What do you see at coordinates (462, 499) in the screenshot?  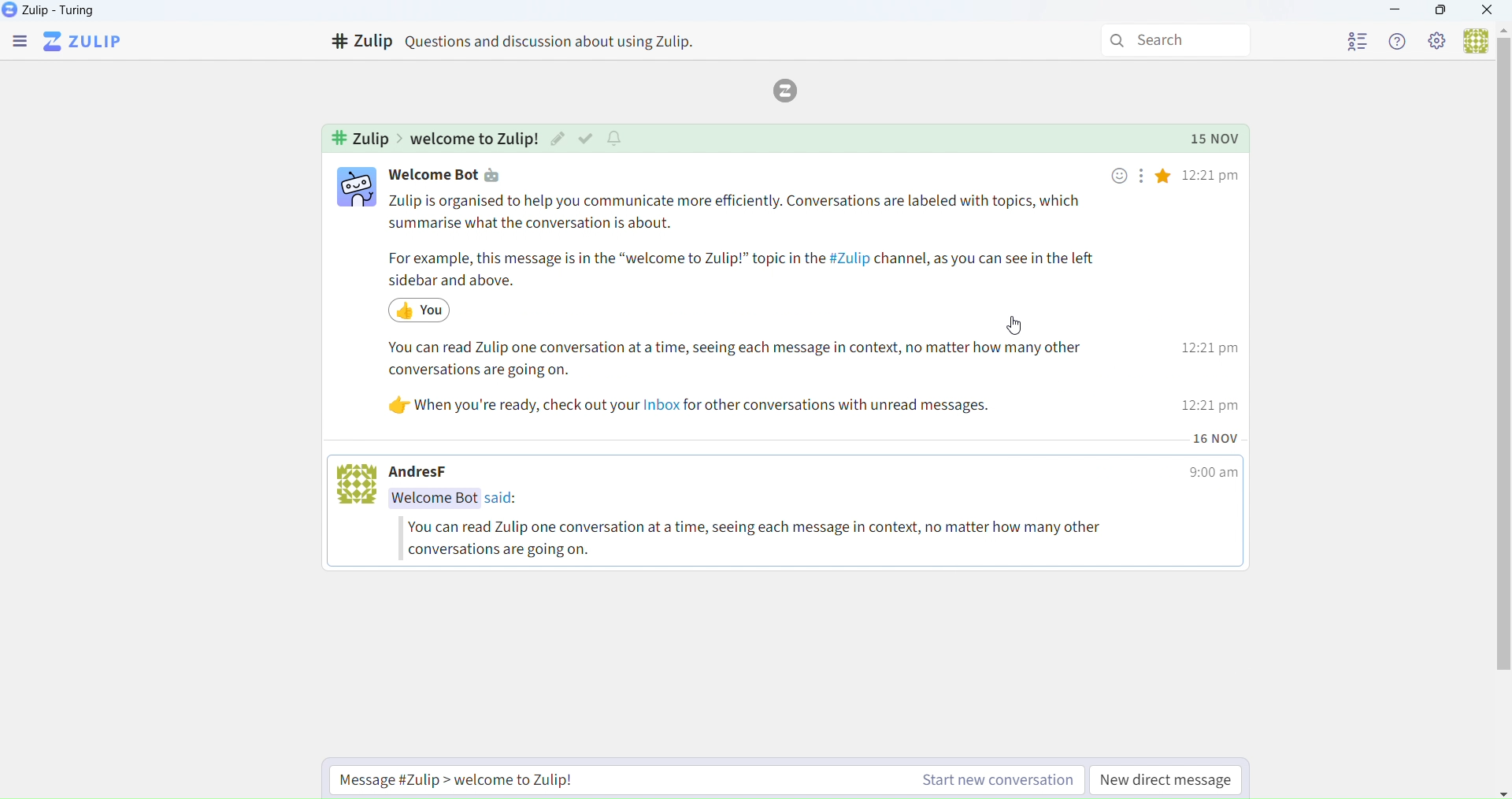 I see ` Welcome Bot said:` at bounding box center [462, 499].